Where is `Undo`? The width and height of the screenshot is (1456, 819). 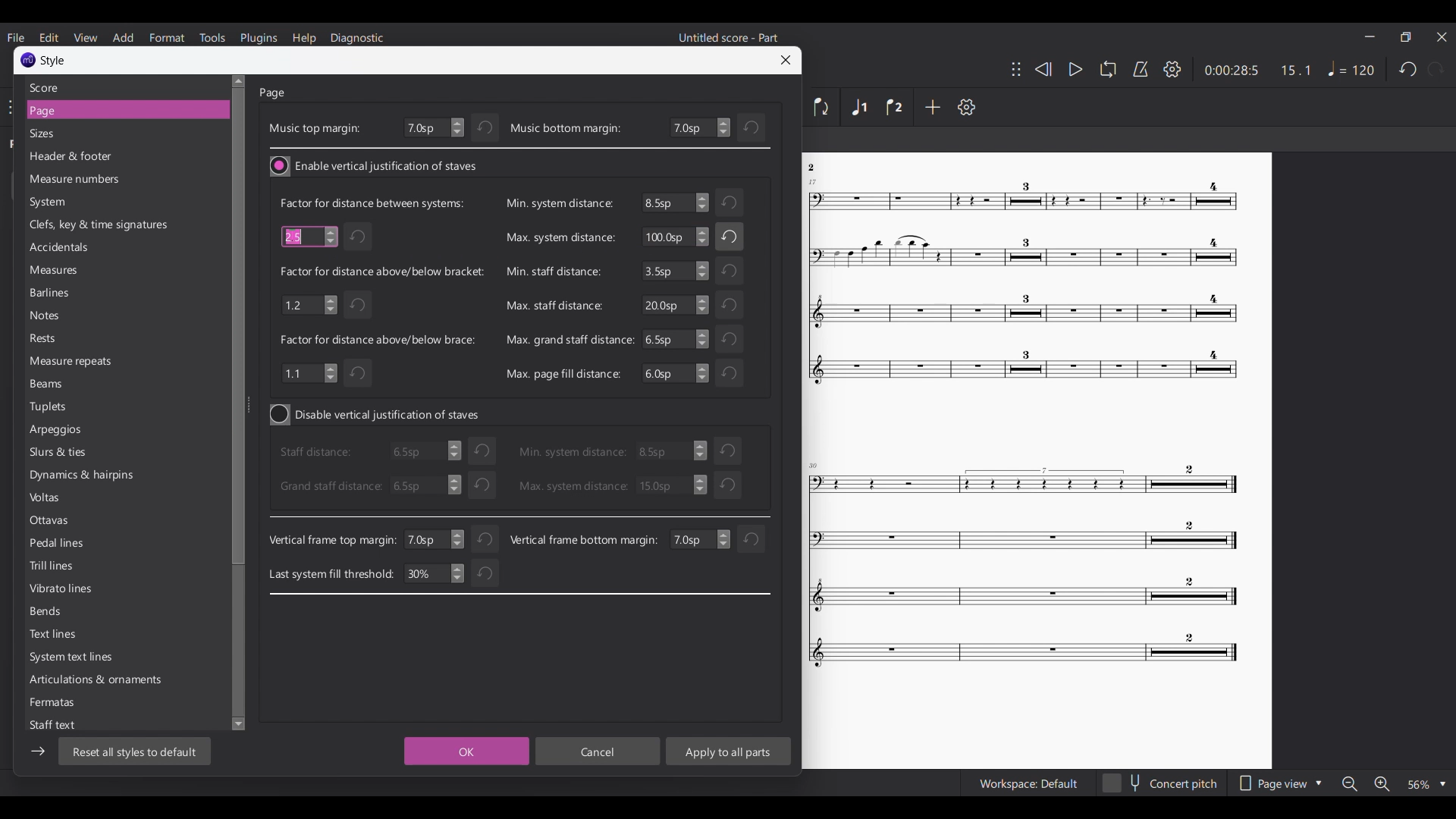
Undo is located at coordinates (482, 576).